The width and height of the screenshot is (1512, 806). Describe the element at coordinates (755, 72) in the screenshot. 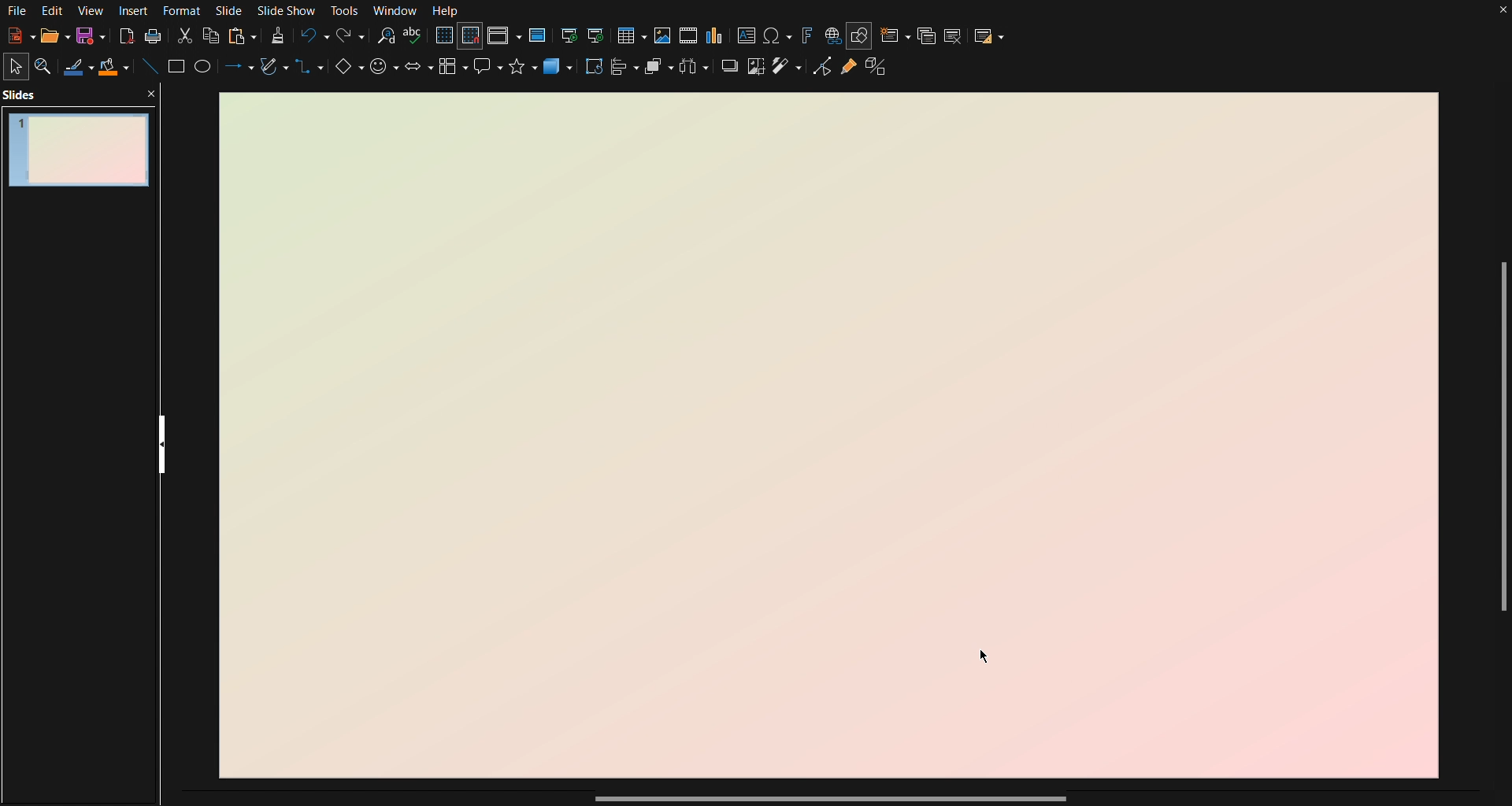

I see `Crop images` at that location.